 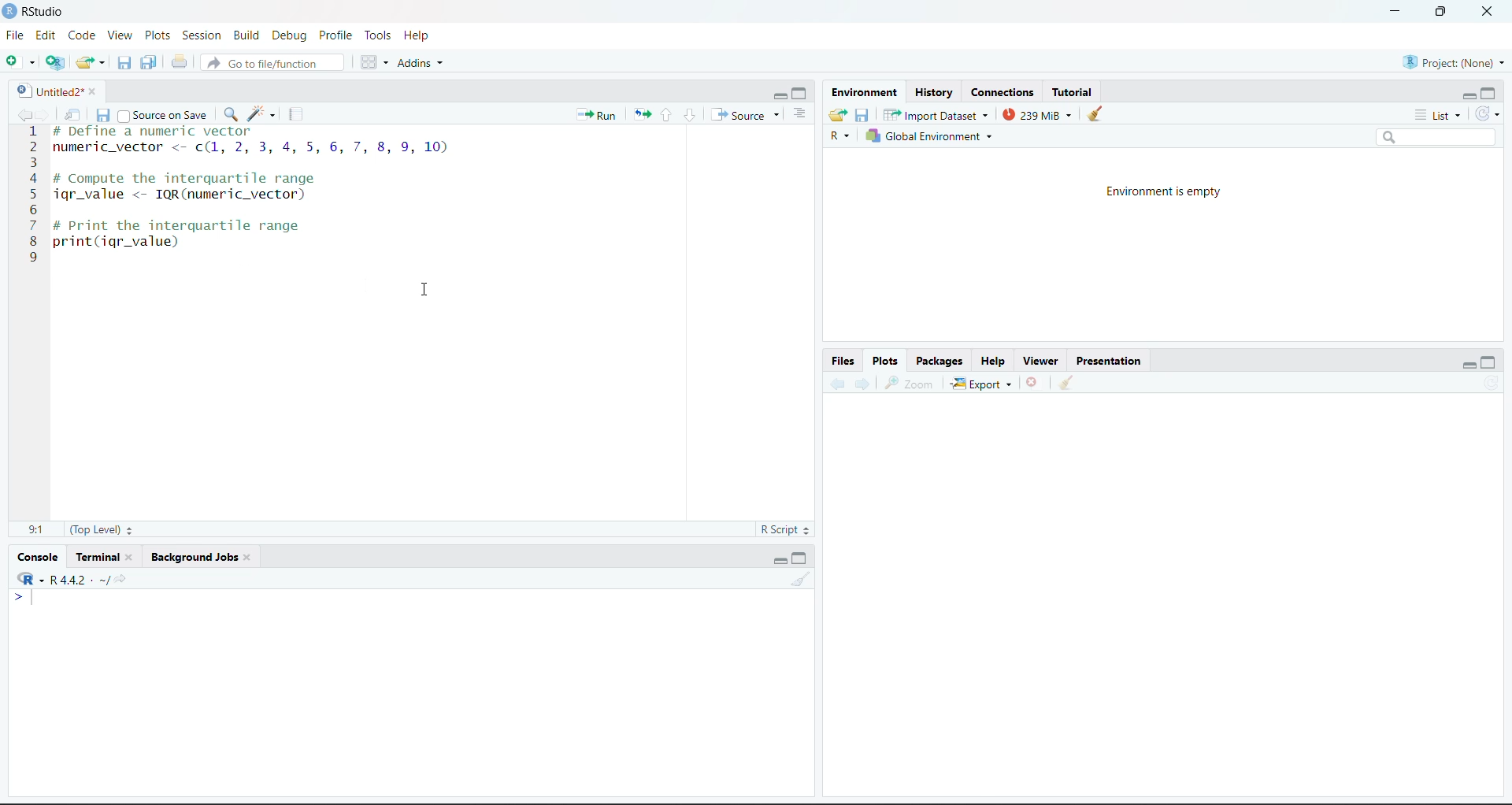 What do you see at coordinates (944, 138) in the screenshot?
I see `Global Environment` at bounding box center [944, 138].